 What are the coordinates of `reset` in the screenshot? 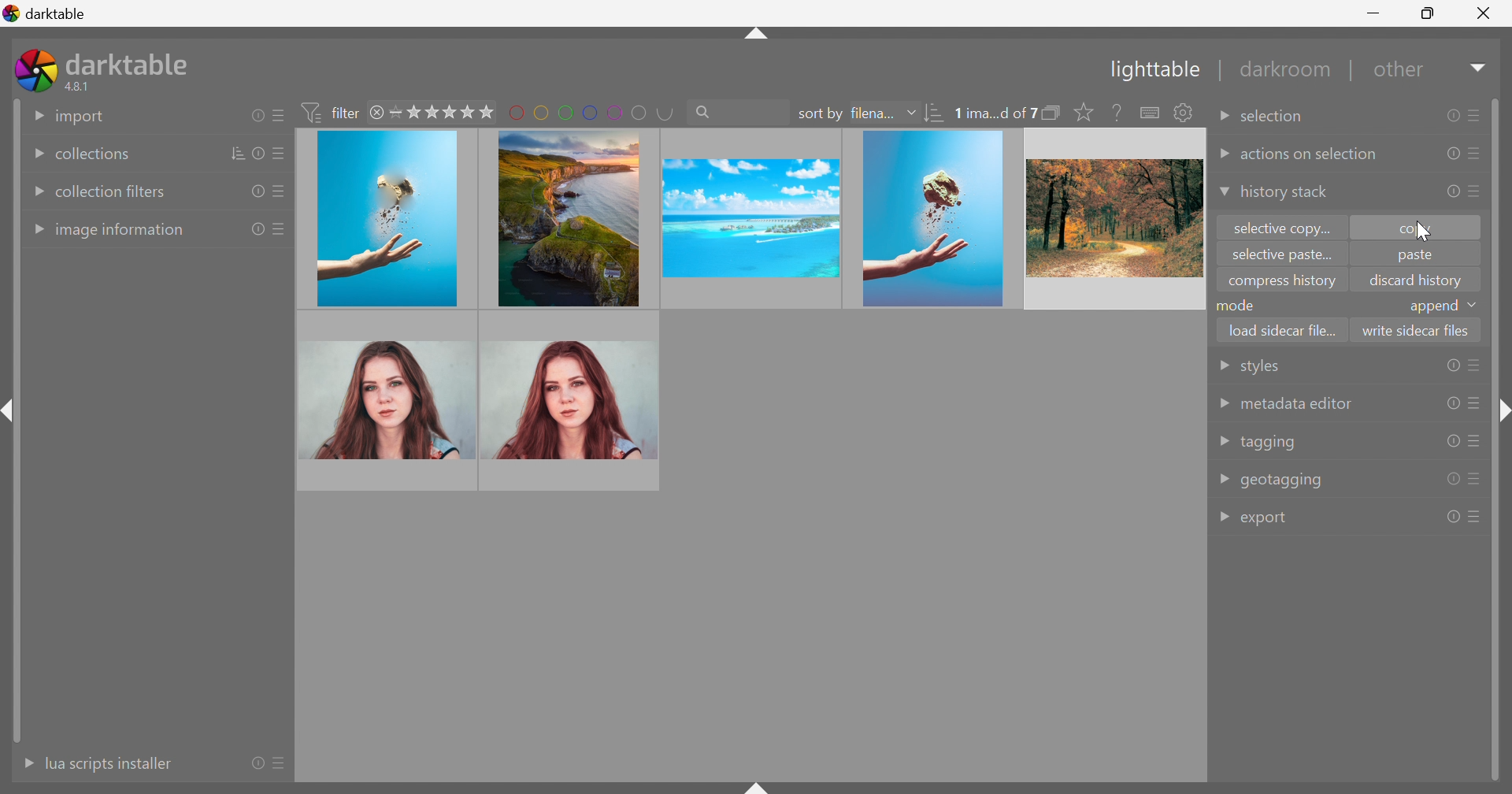 It's located at (1453, 480).